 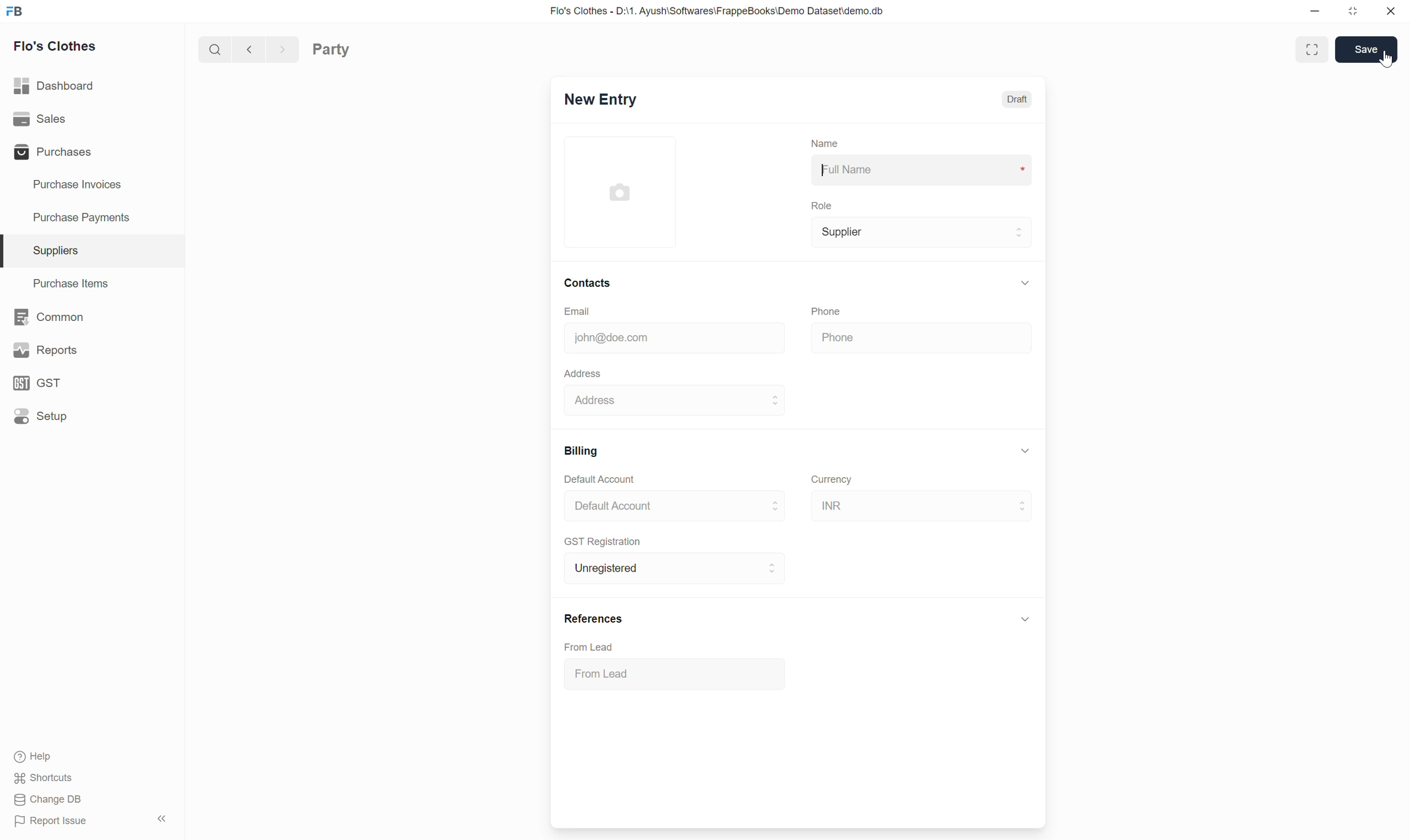 What do you see at coordinates (1025, 451) in the screenshot?
I see `Collapse` at bounding box center [1025, 451].